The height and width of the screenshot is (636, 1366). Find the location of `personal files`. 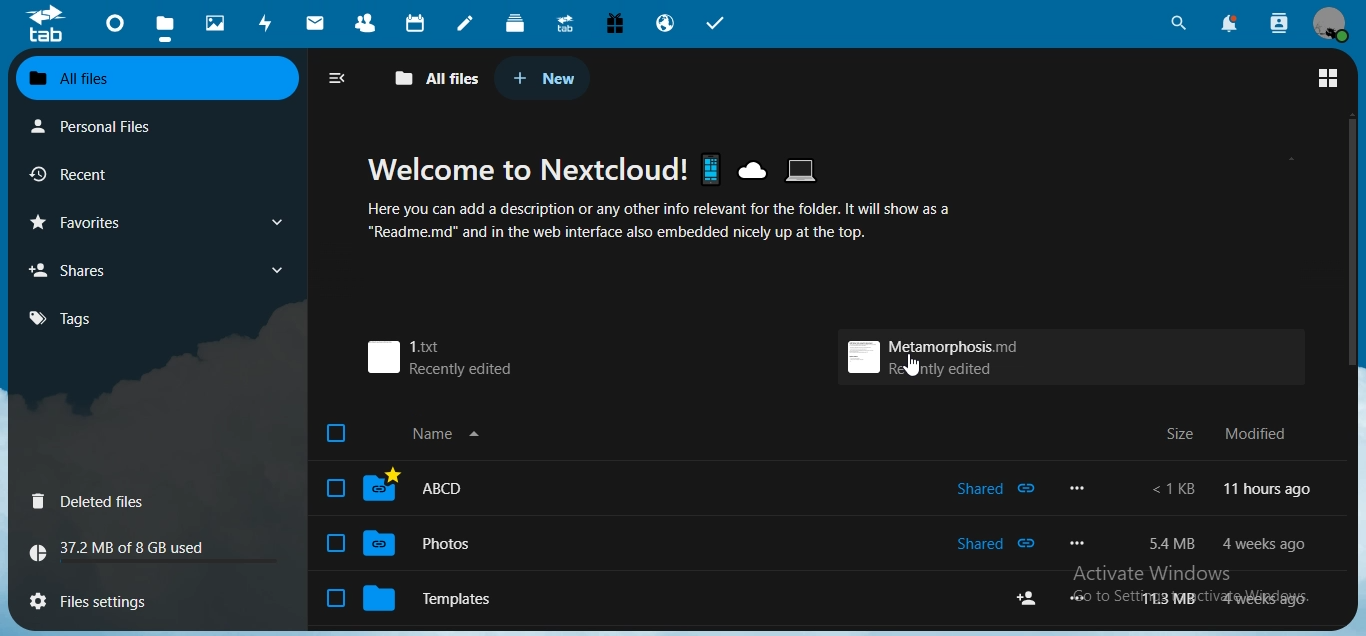

personal files is located at coordinates (96, 126).